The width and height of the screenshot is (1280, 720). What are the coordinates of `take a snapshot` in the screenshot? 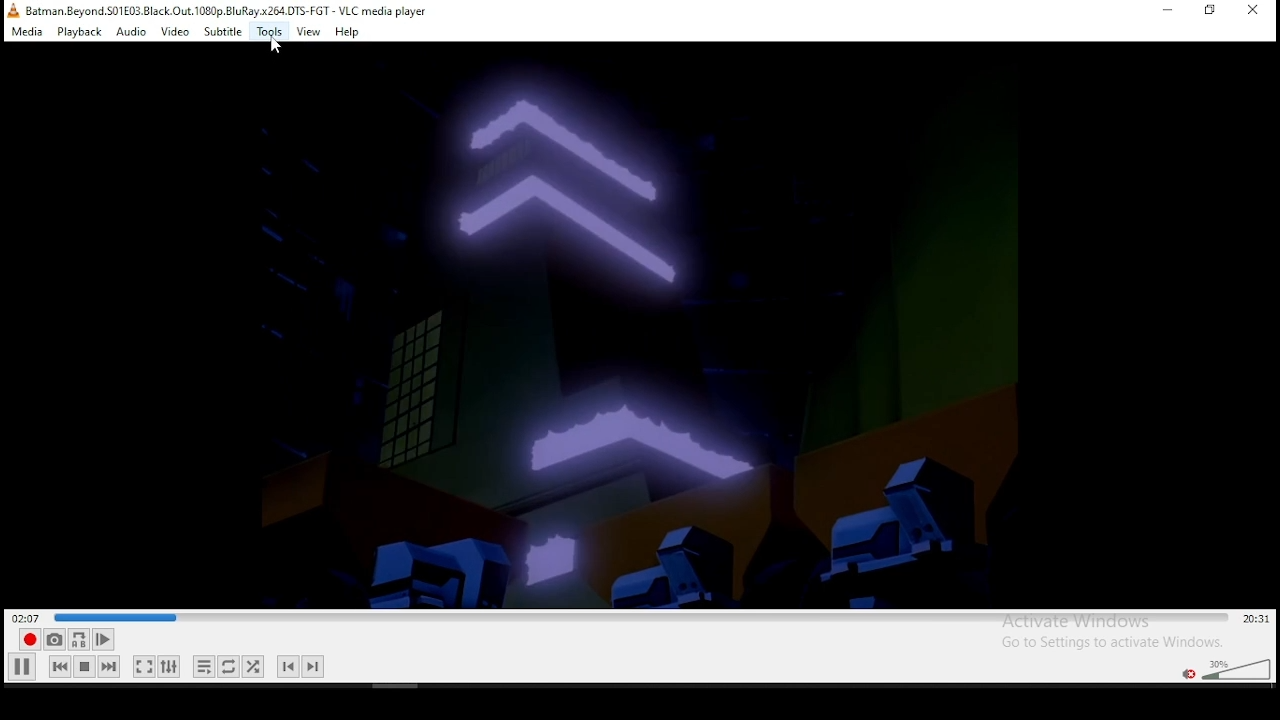 It's located at (54, 639).